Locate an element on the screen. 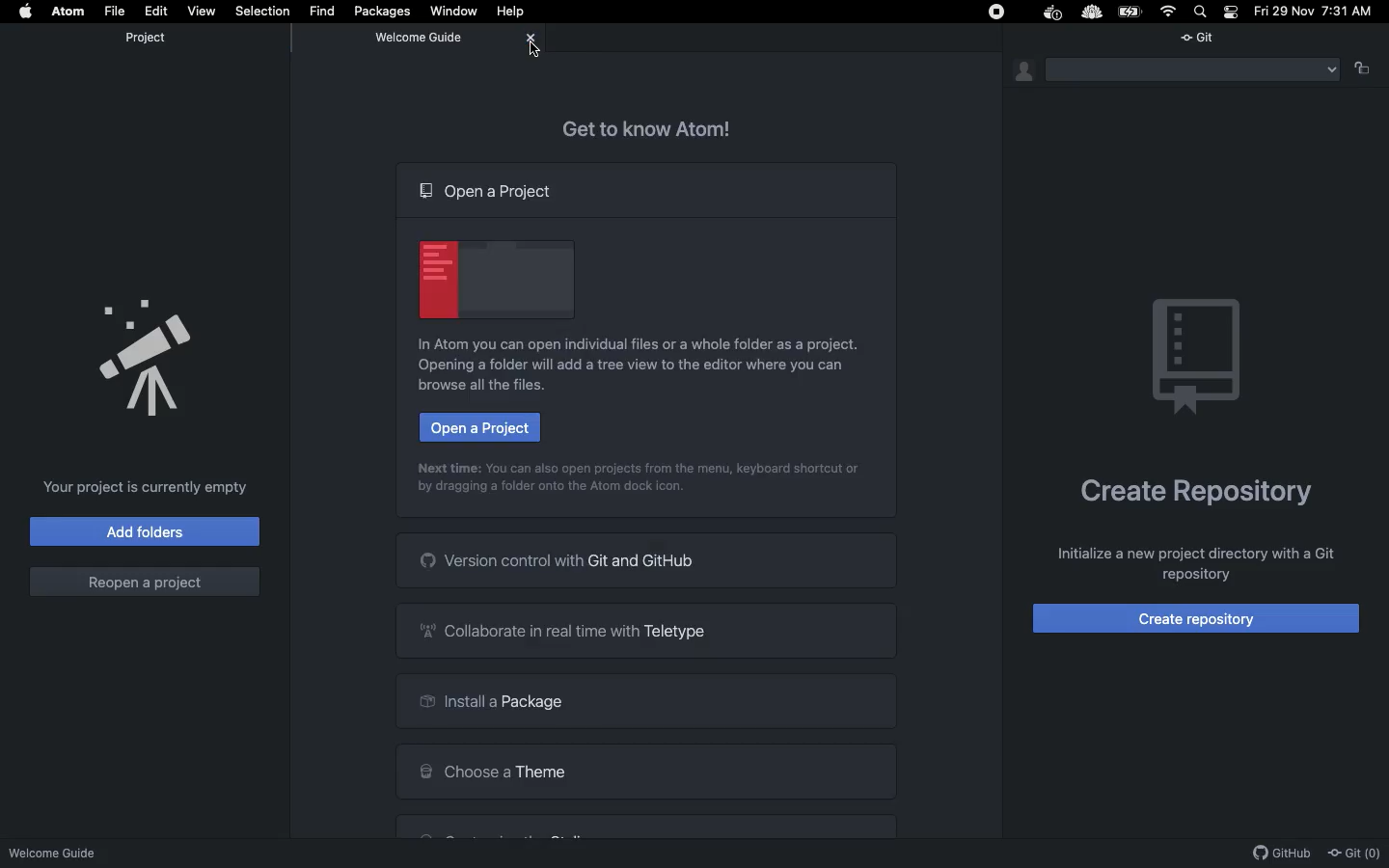  Emblem is located at coordinates (1198, 359).